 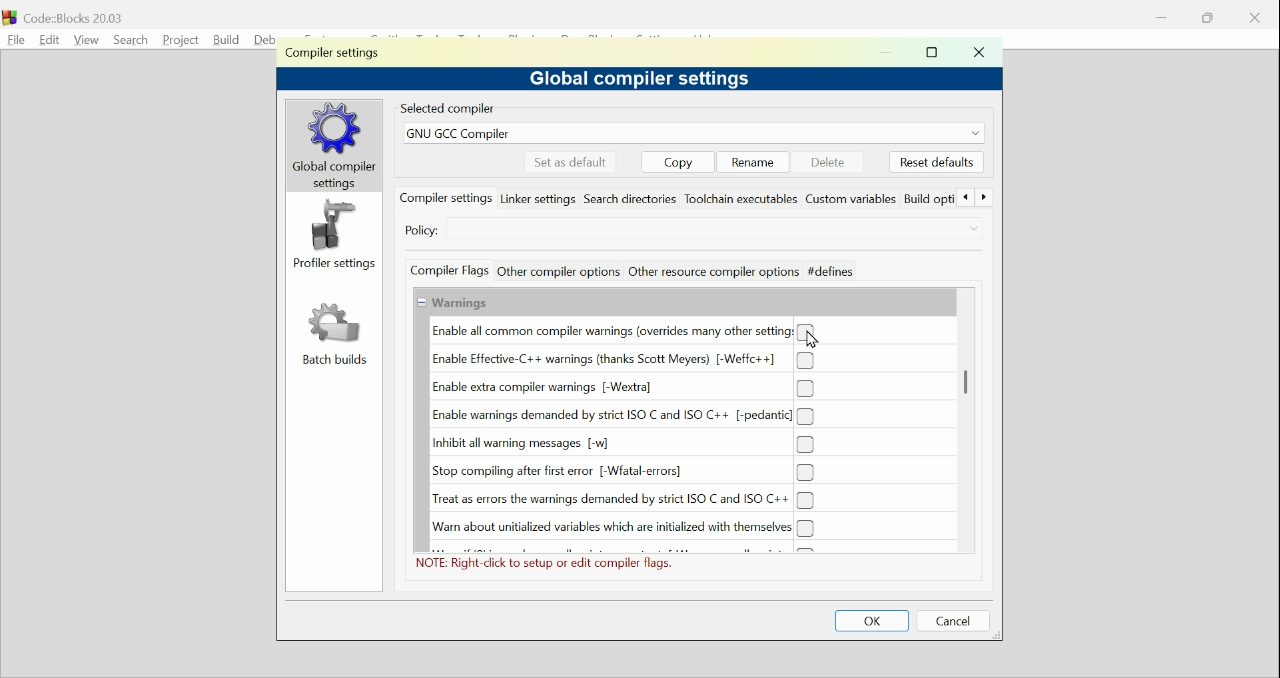 What do you see at coordinates (752, 161) in the screenshot?
I see `Rename` at bounding box center [752, 161].